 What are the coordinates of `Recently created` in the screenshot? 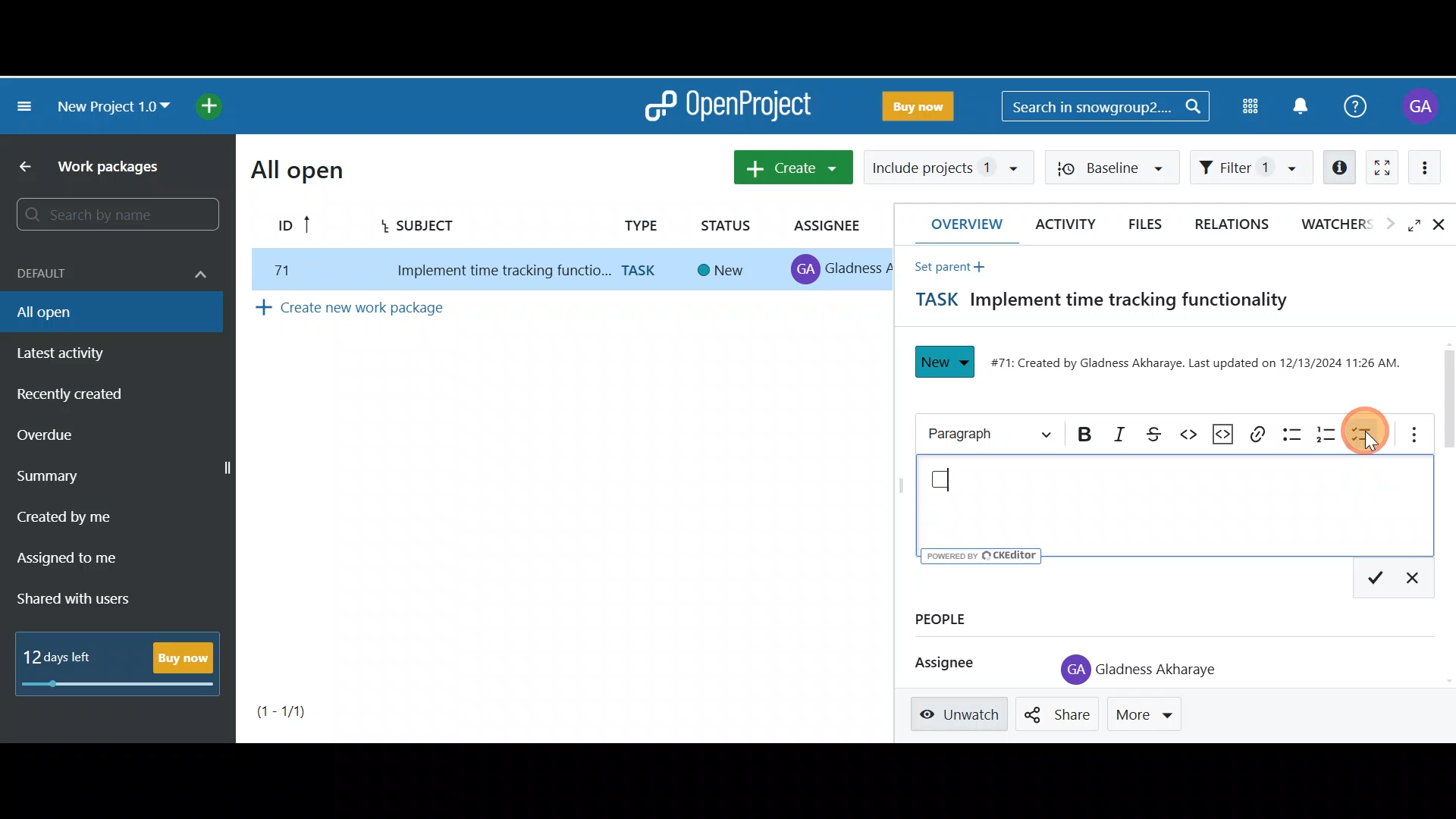 It's located at (73, 395).